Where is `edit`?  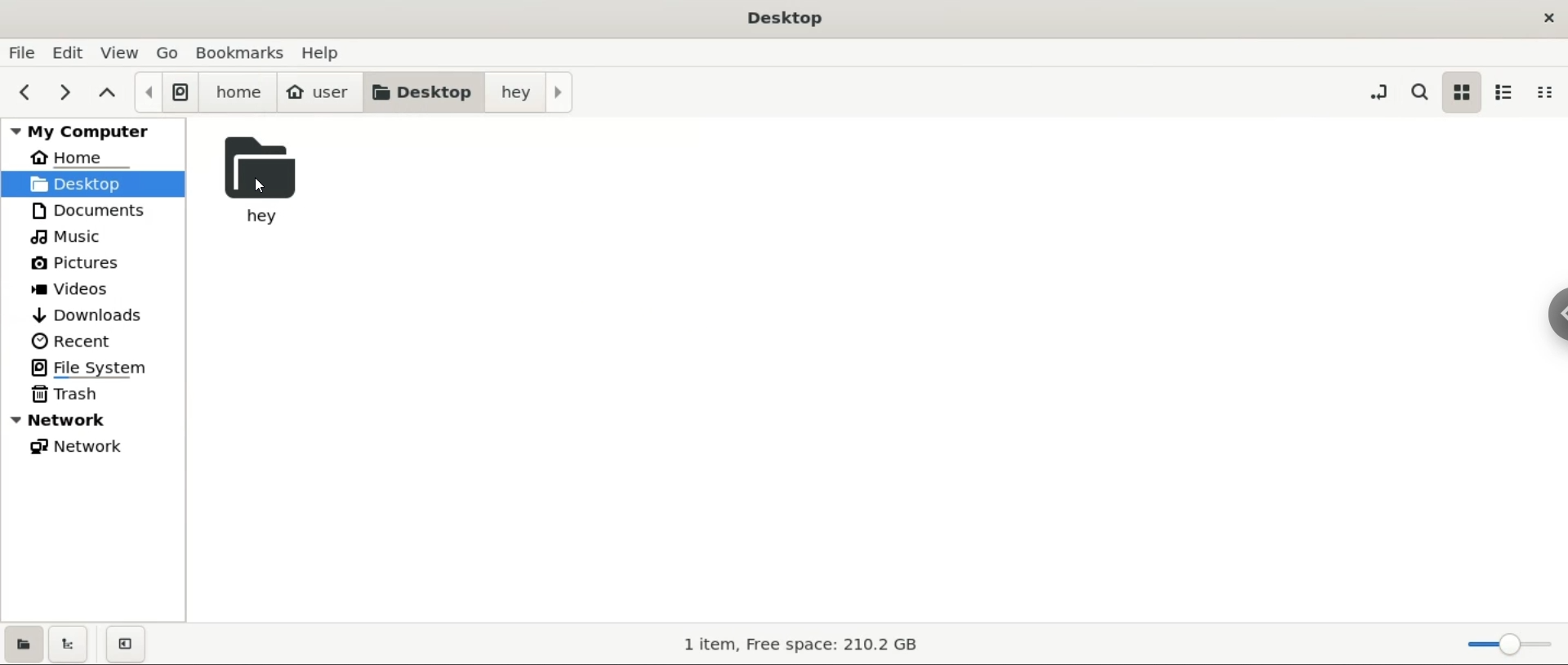
edit is located at coordinates (69, 52).